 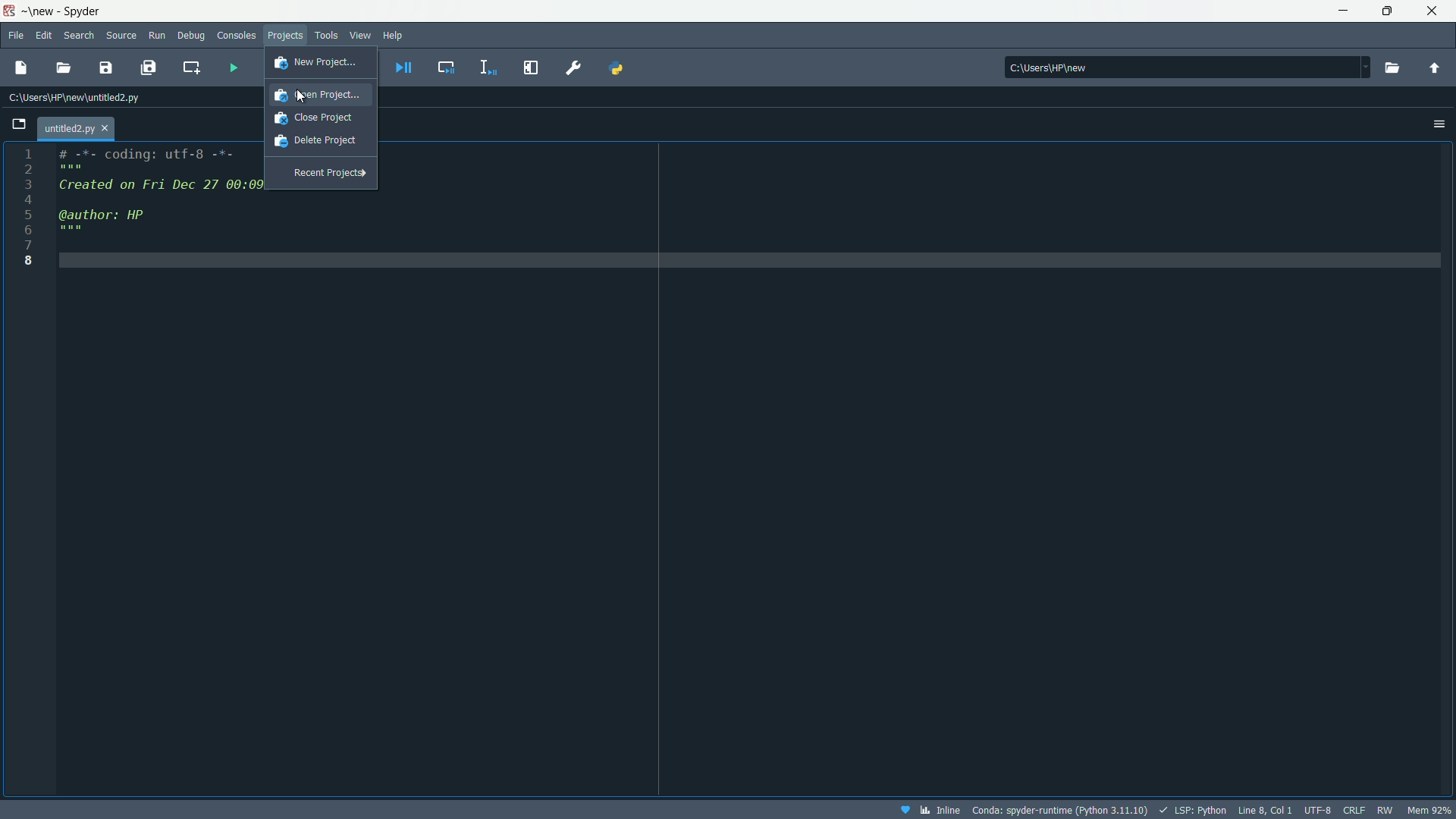 What do you see at coordinates (1317, 808) in the screenshot?
I see `file encoding` at bounding box center [1317, 808].